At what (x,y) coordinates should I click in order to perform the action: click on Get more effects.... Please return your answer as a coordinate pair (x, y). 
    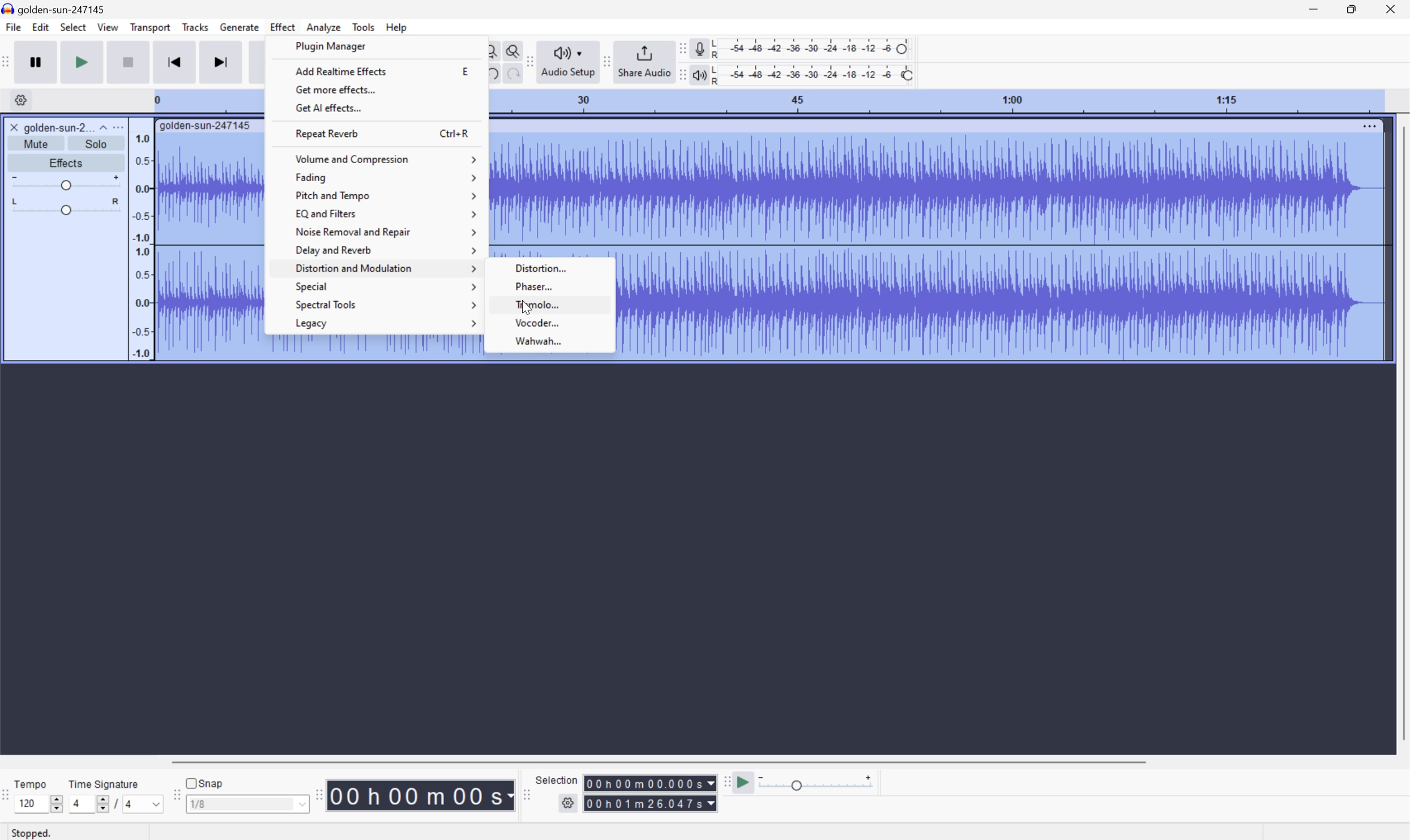
    Looking at the image, I should click on (335, 89).